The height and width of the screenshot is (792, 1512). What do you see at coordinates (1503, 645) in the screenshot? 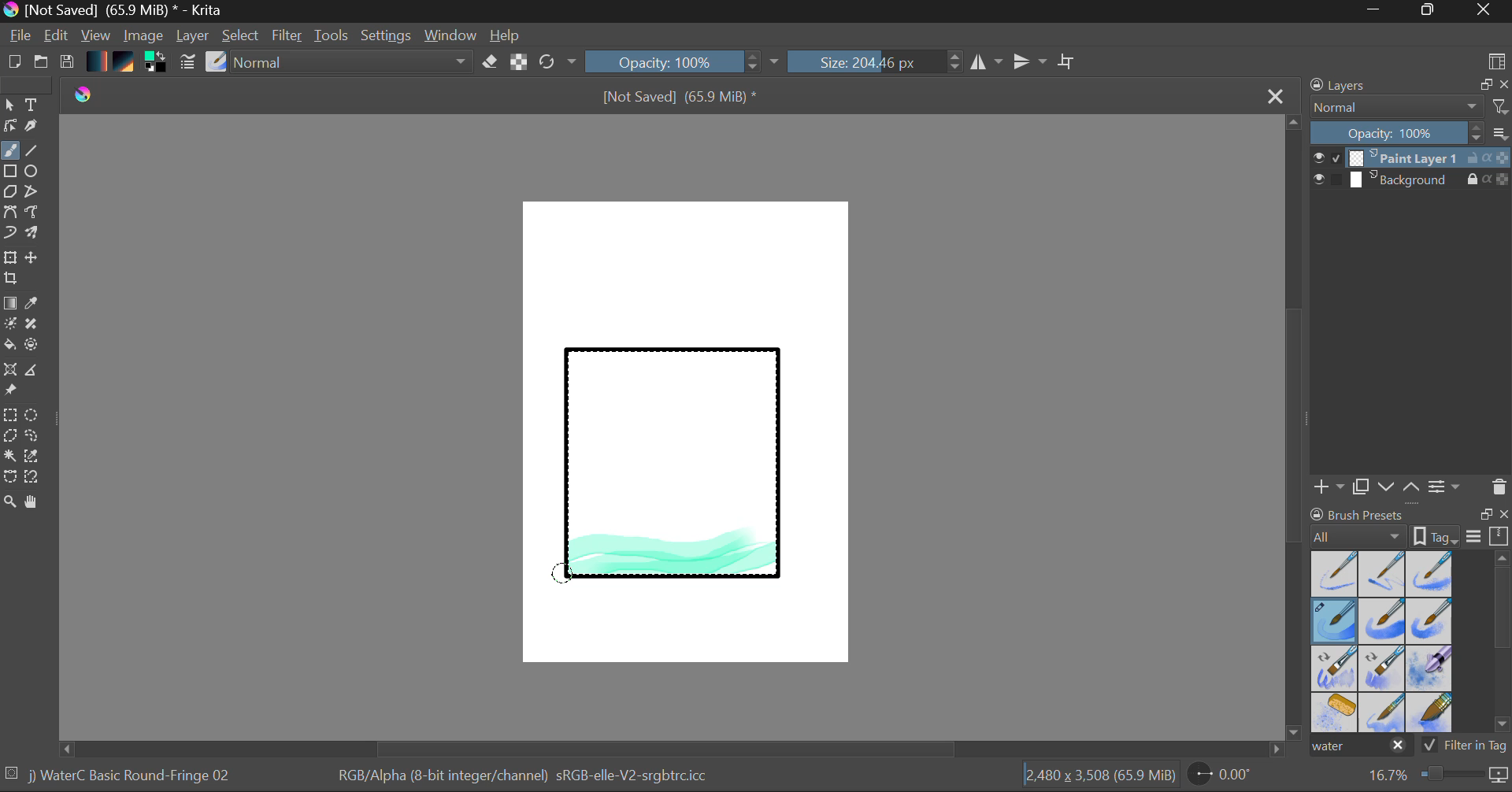
I see `Scroll Bar` at bounding box center [1503, 645].